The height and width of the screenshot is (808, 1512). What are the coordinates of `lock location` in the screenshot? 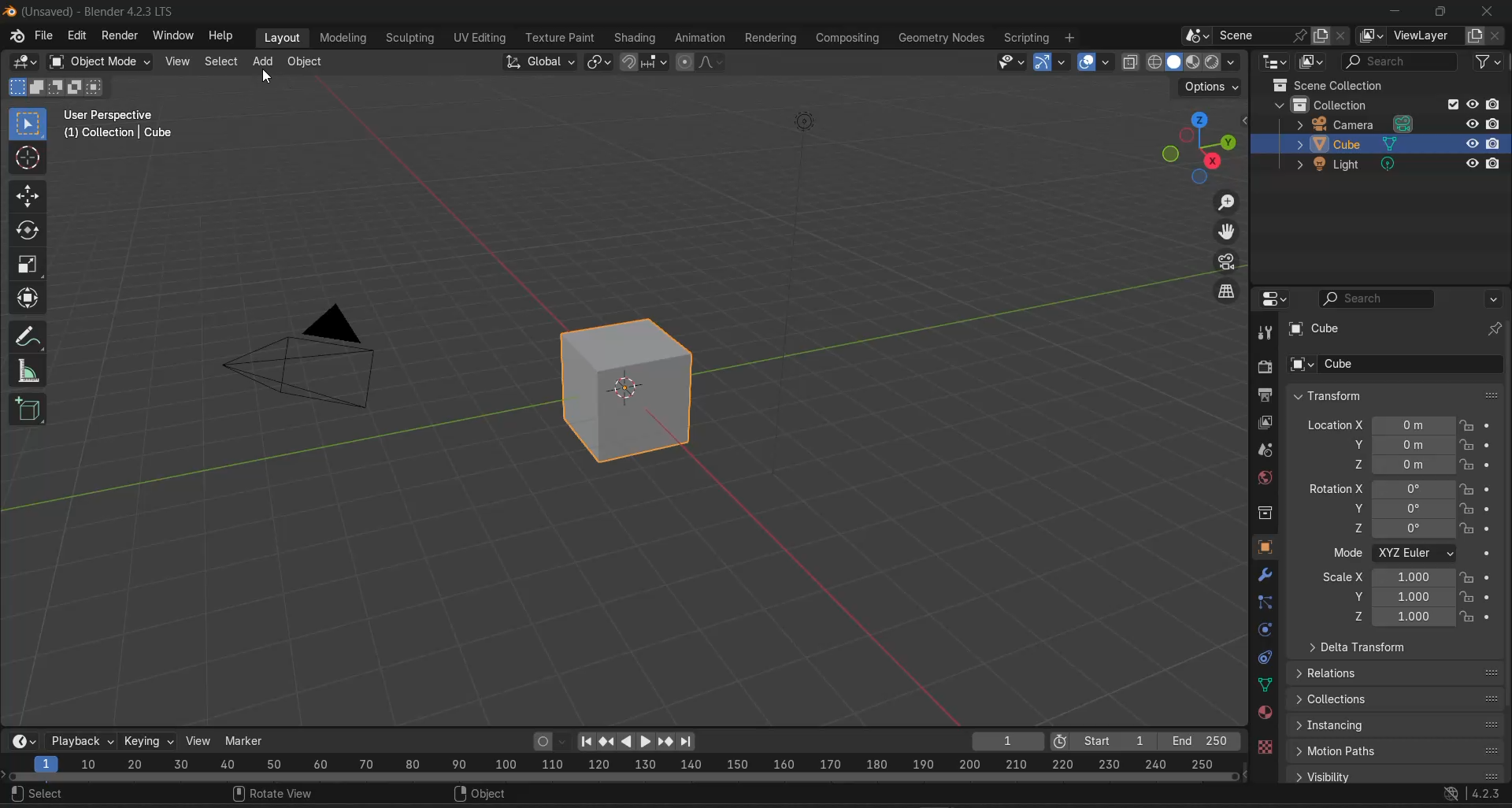 It's located at (1467, 426).